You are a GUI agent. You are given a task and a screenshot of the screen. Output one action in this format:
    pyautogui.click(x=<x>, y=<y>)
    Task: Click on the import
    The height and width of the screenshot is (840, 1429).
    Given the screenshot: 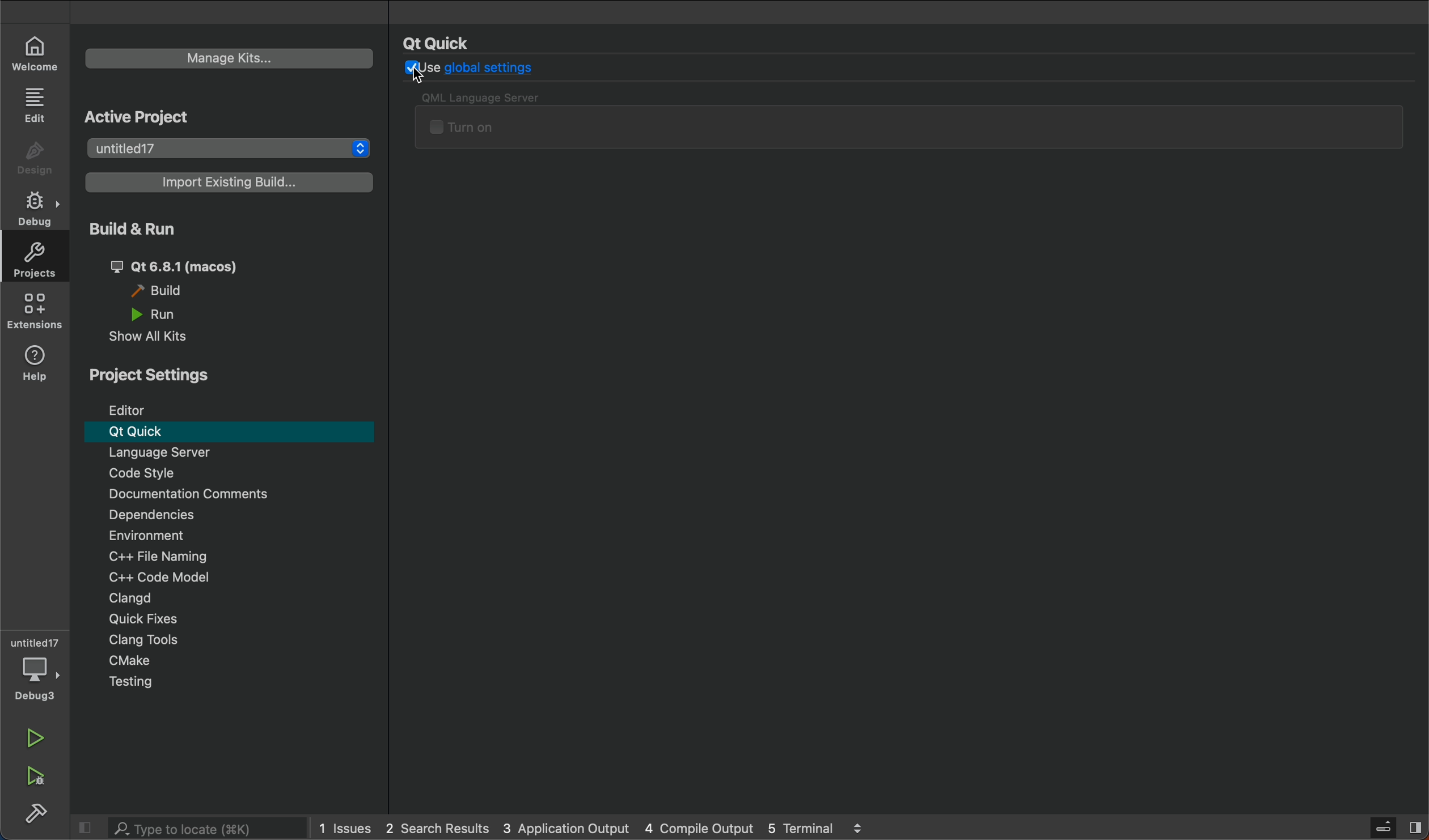 What is the action you would take?
    pyautogui.click(x=223, y=182)
    